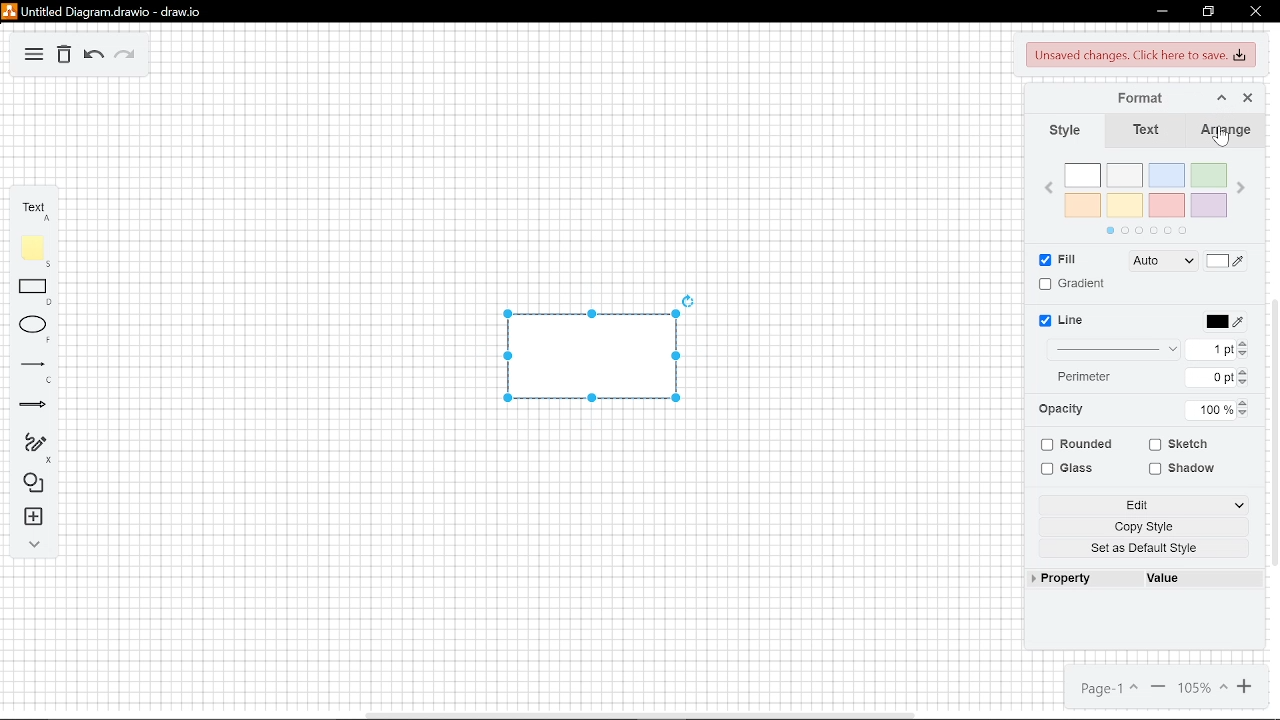 This screenshot has width=1280, height=720. I want to click on insert, so click(34, 517).